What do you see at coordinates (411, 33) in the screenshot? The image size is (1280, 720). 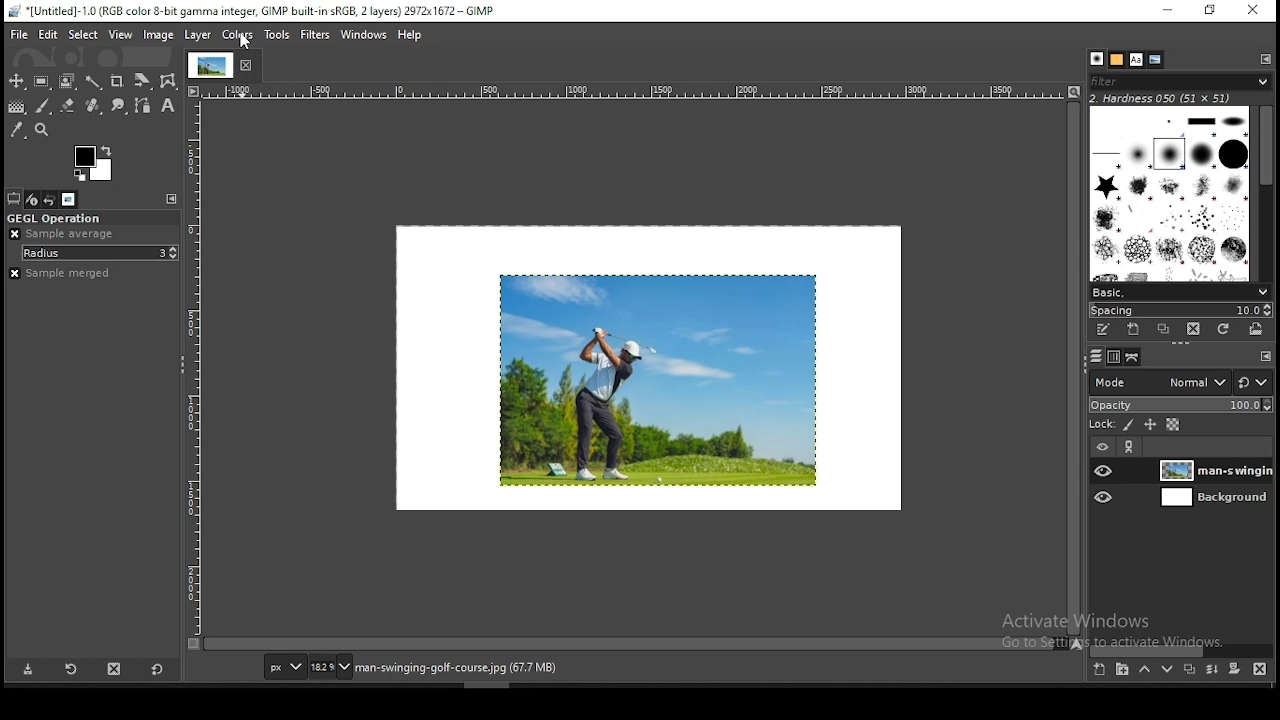 I see `help` at bounding box center [411, 33].